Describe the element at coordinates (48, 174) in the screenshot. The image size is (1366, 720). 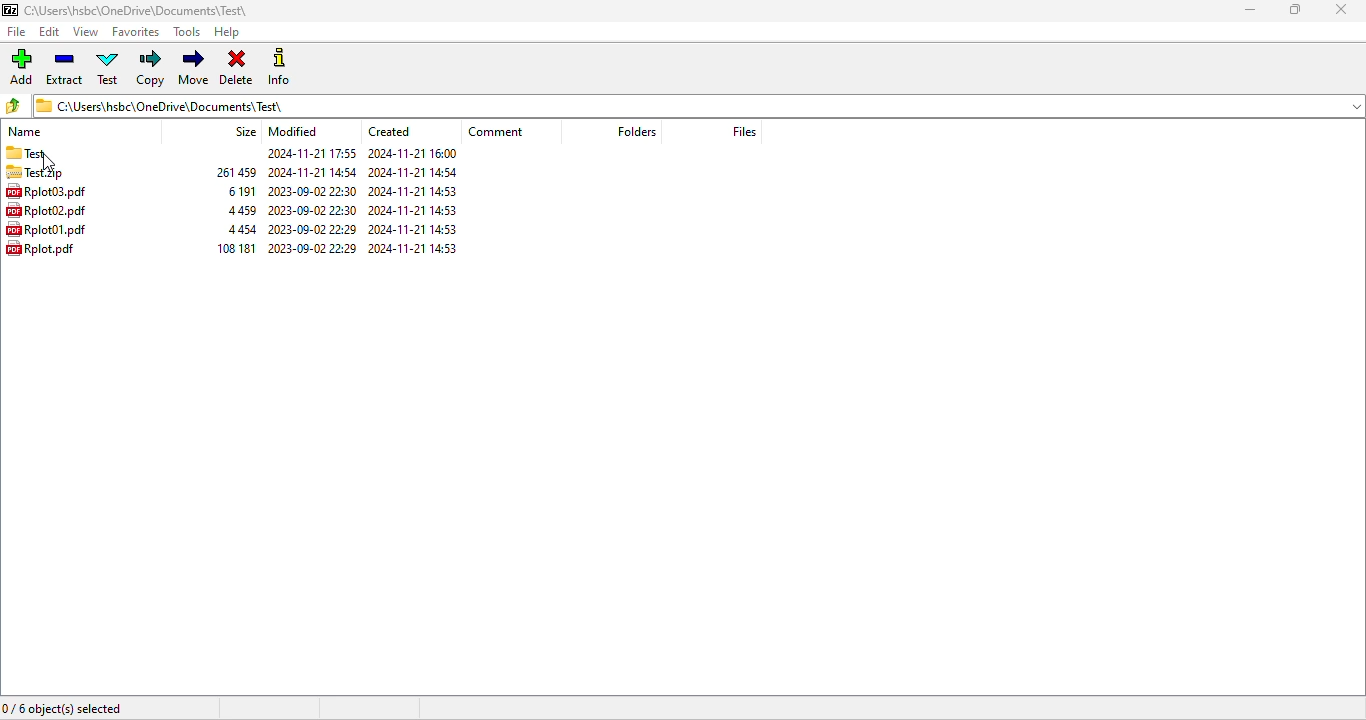
I see `test zip` at that location.